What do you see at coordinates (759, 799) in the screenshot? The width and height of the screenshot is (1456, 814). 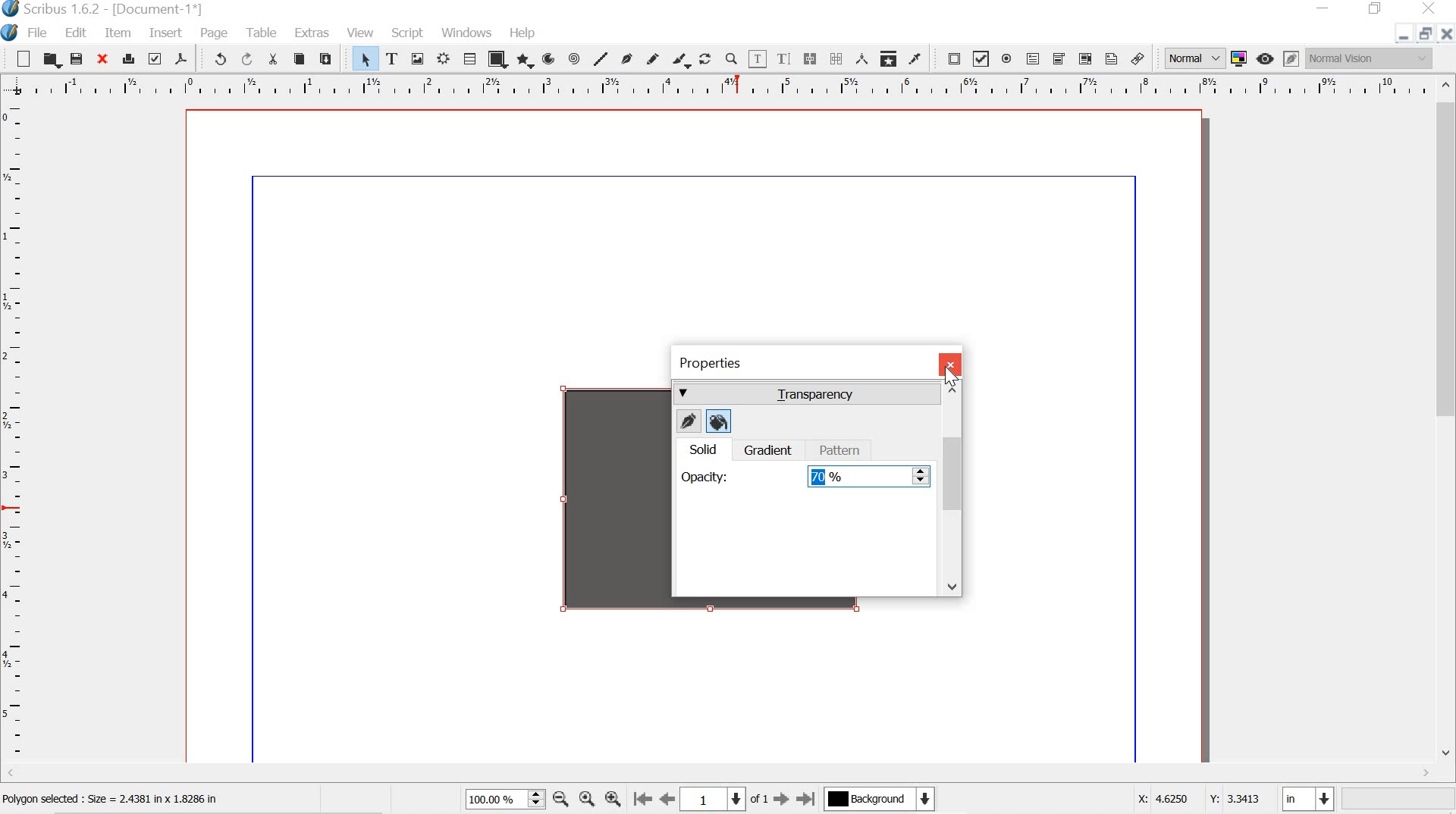 I see `of 1` at bounding box center [759, 799].